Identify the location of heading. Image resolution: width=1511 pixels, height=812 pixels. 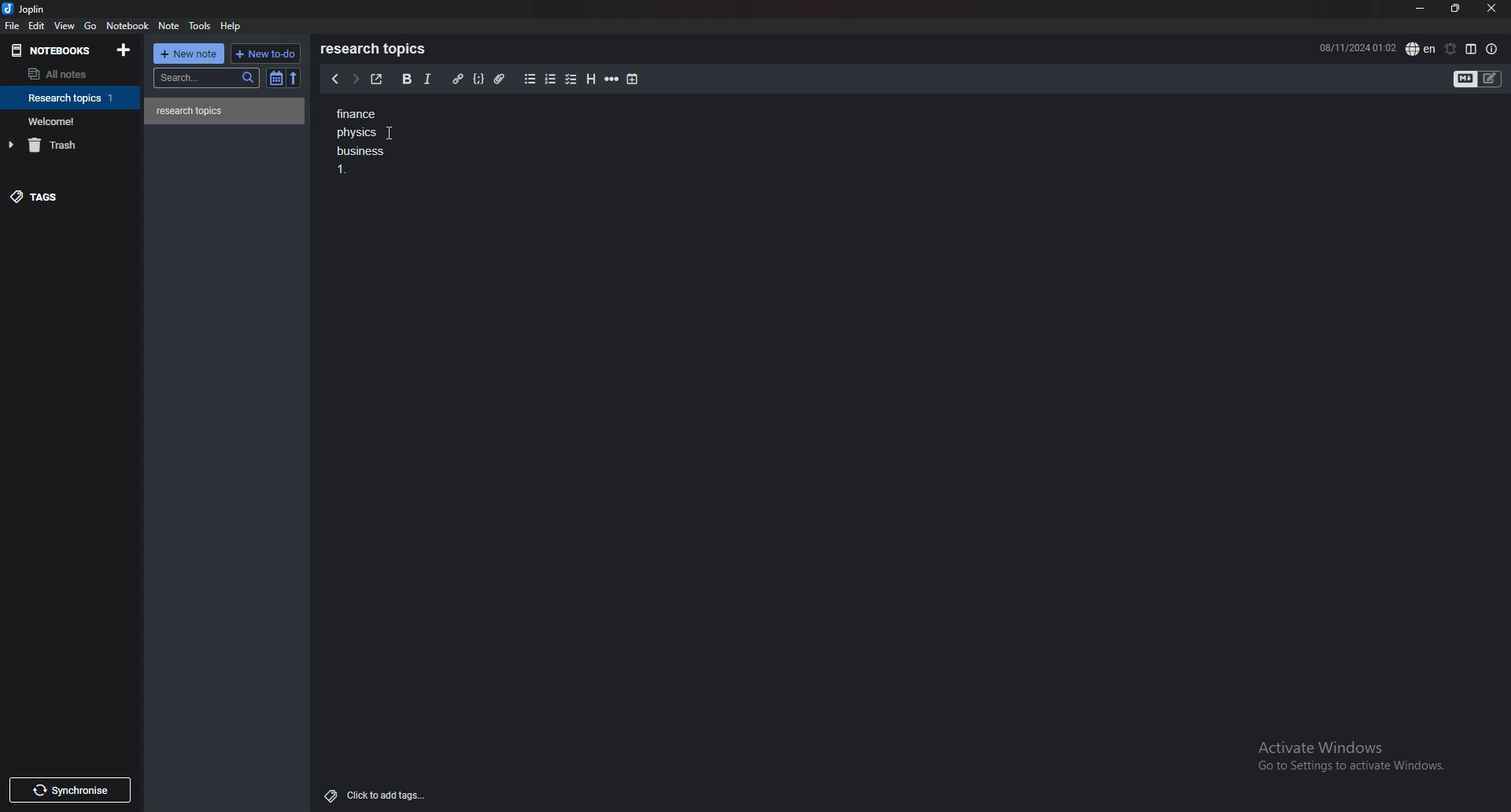
(590, 79).